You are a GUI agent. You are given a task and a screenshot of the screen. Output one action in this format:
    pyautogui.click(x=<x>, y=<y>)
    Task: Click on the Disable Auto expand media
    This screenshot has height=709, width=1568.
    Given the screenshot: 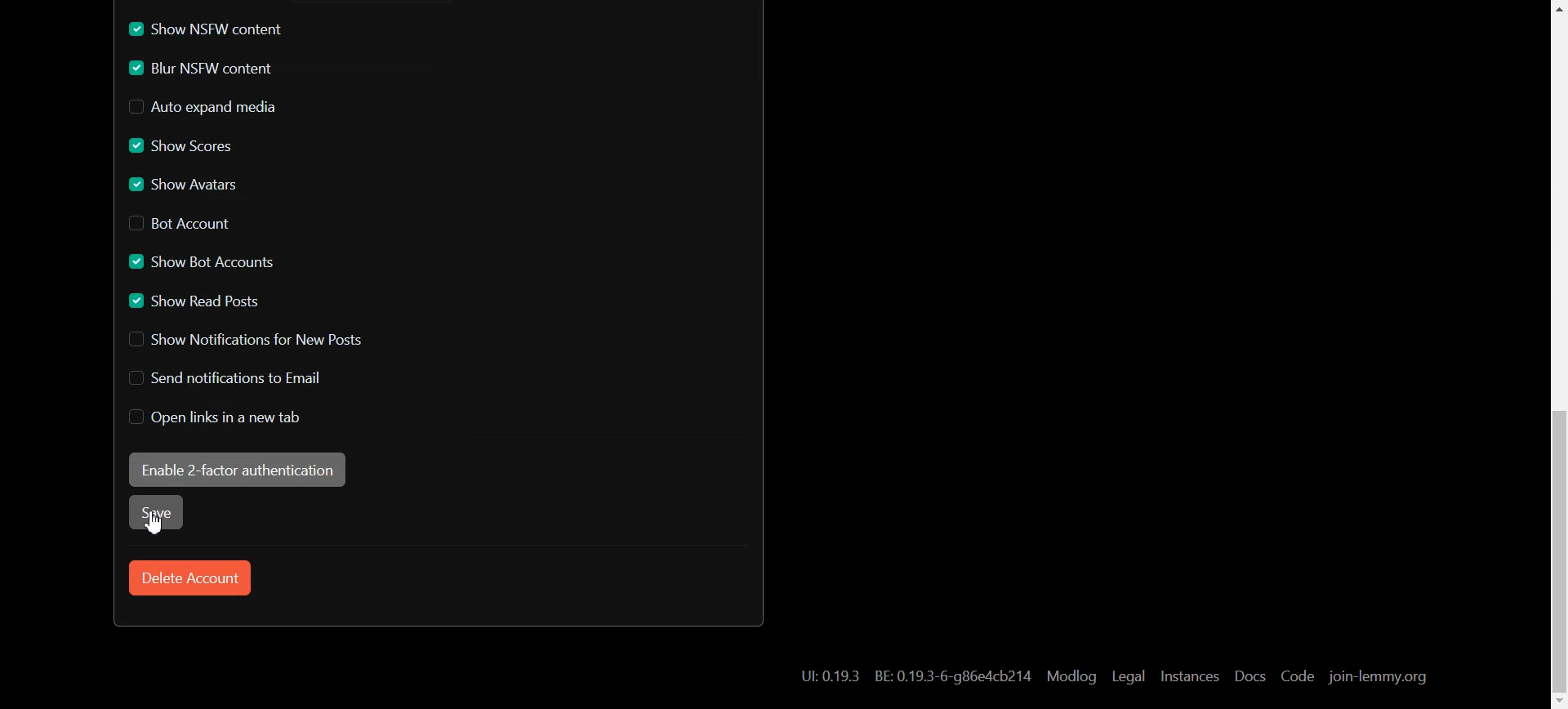 What is the action you would take?
    pyautogui.click(x=202, y=108)
    